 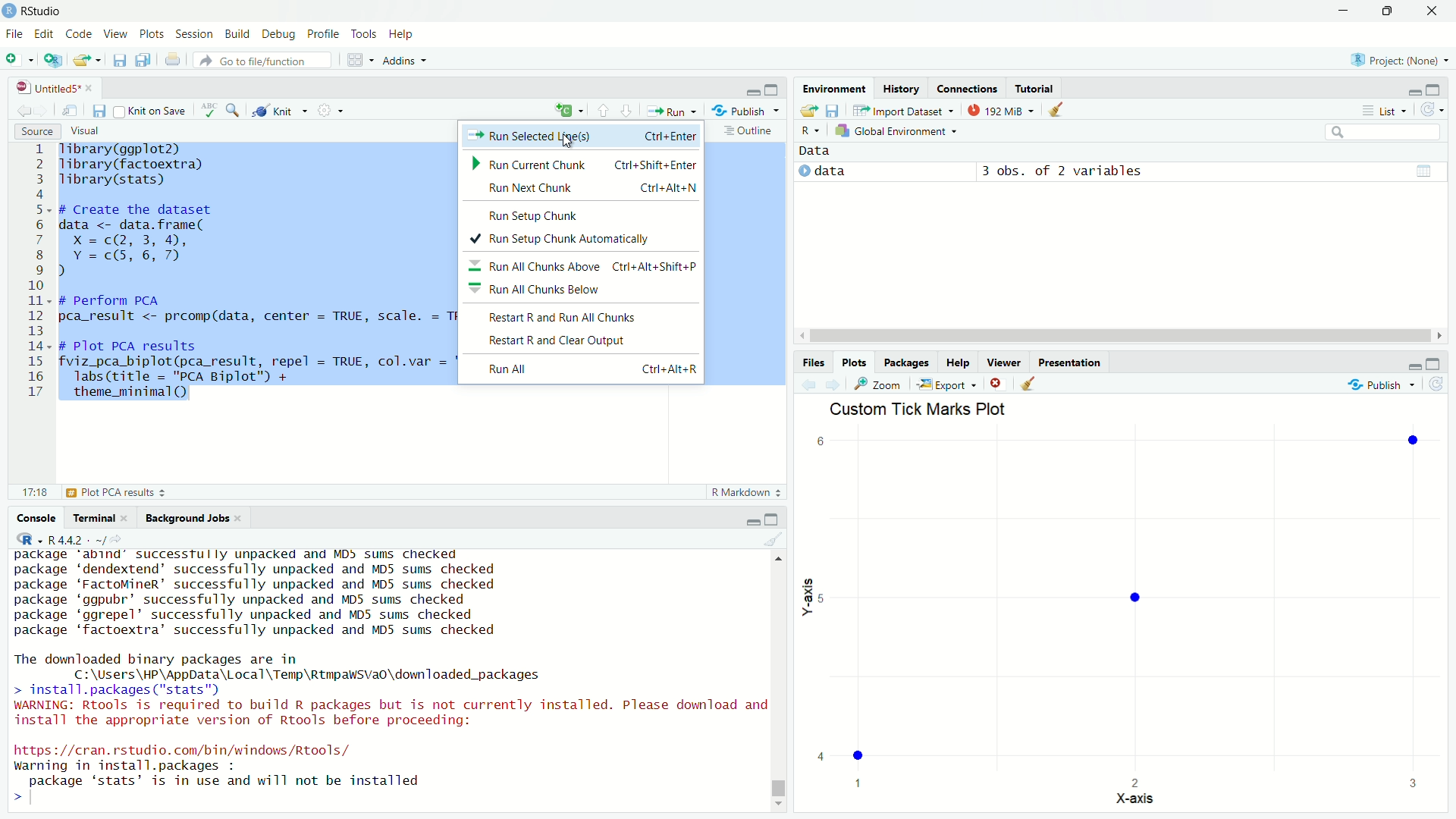 I want to click on environment, so click(x=834, y=87).